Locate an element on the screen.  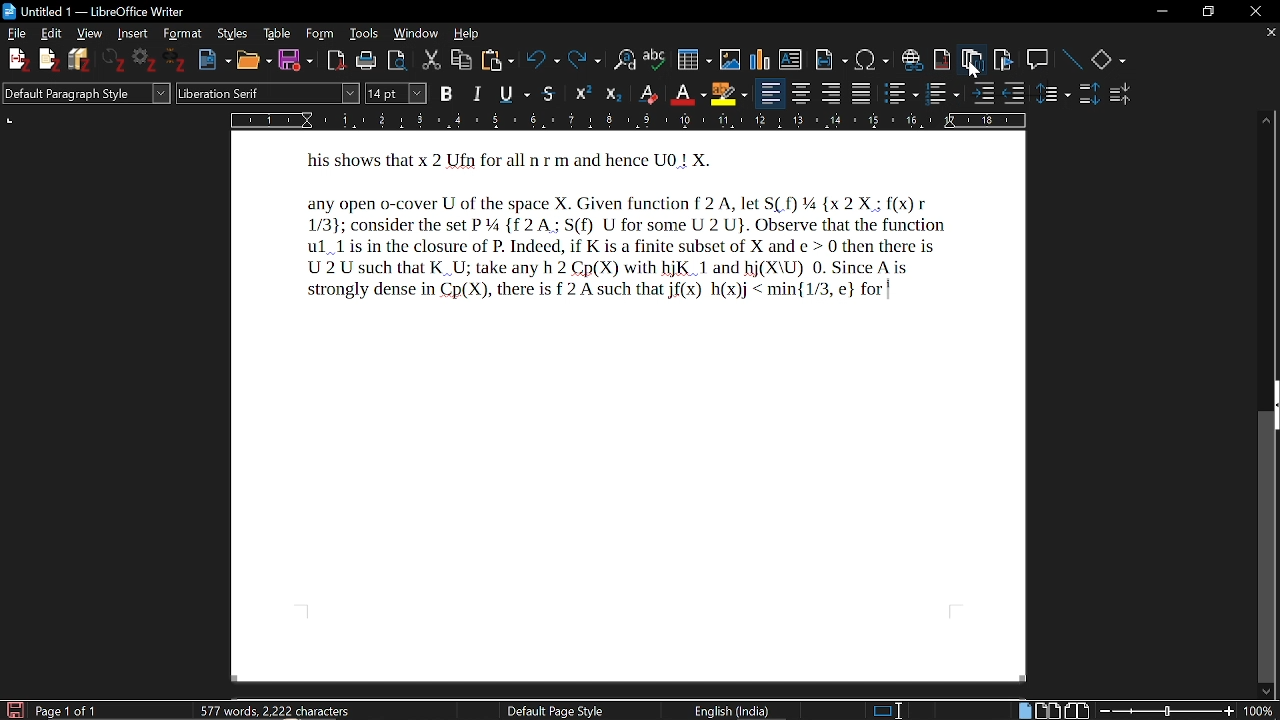
Subscript is located at coordinates (614, 95).